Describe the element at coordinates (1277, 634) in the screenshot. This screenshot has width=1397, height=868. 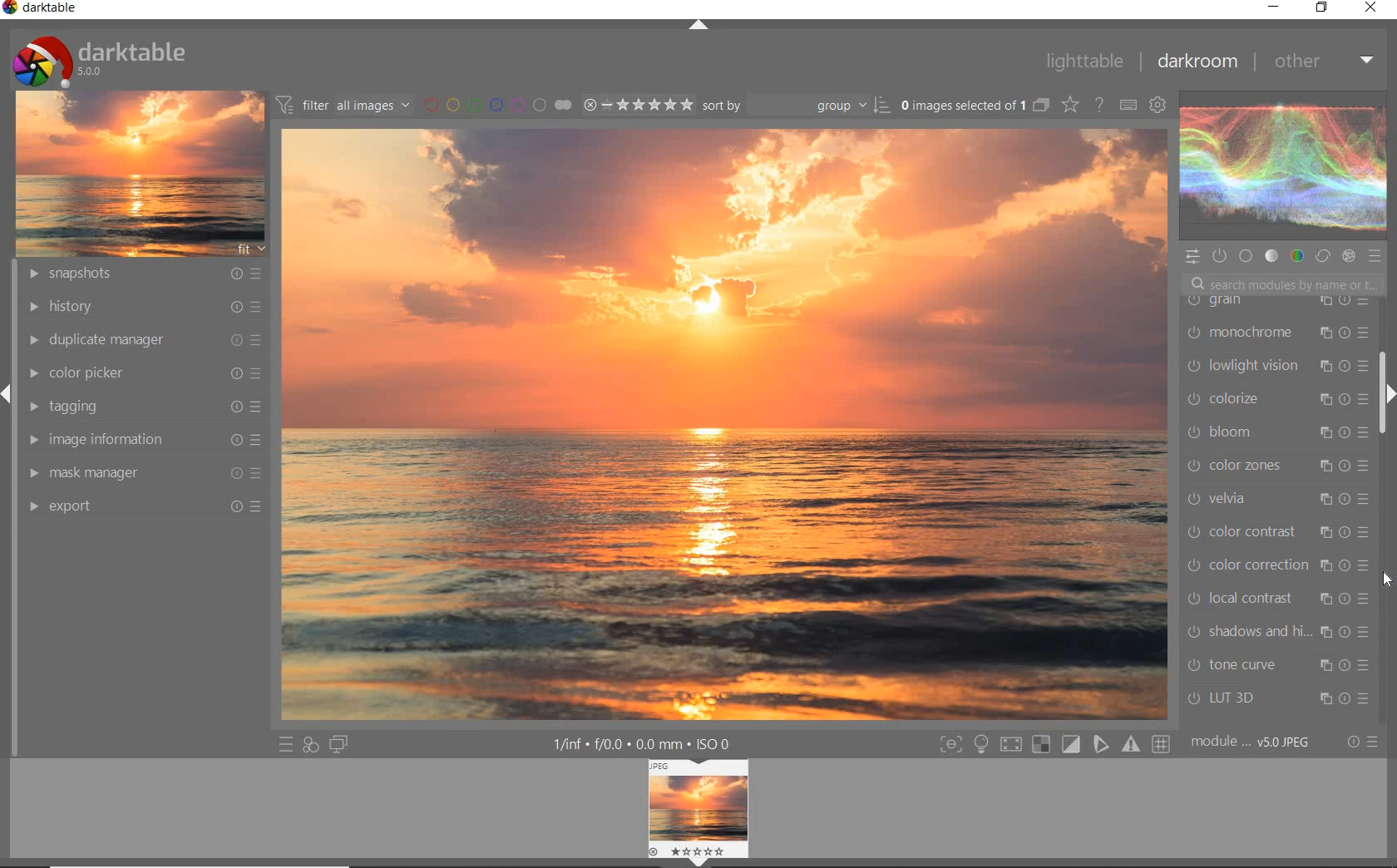
I see `shadows` at that location.